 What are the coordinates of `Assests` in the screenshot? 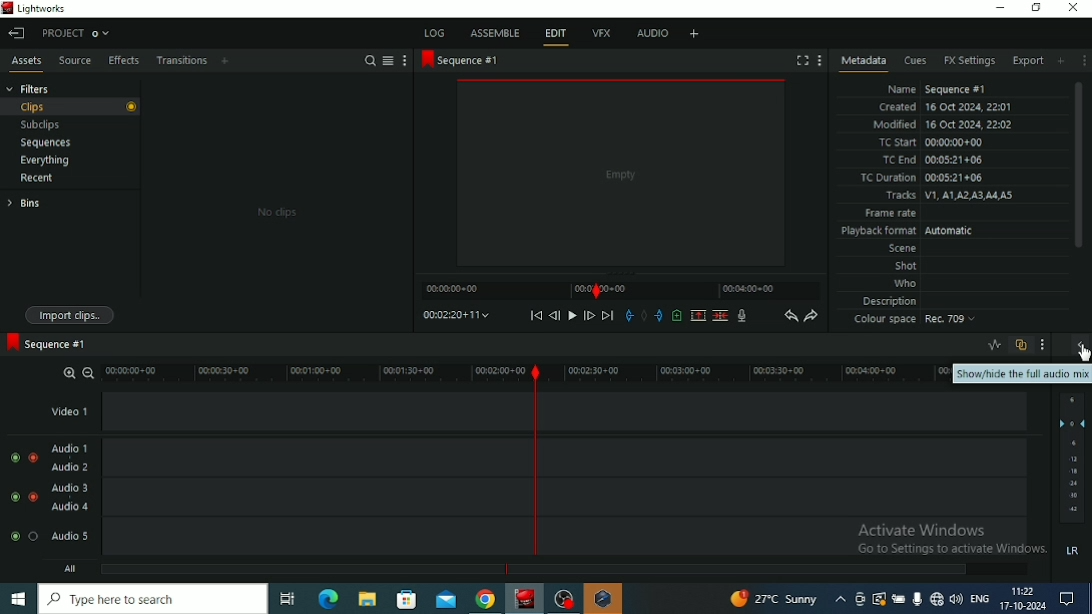 It's located at (26, 63).